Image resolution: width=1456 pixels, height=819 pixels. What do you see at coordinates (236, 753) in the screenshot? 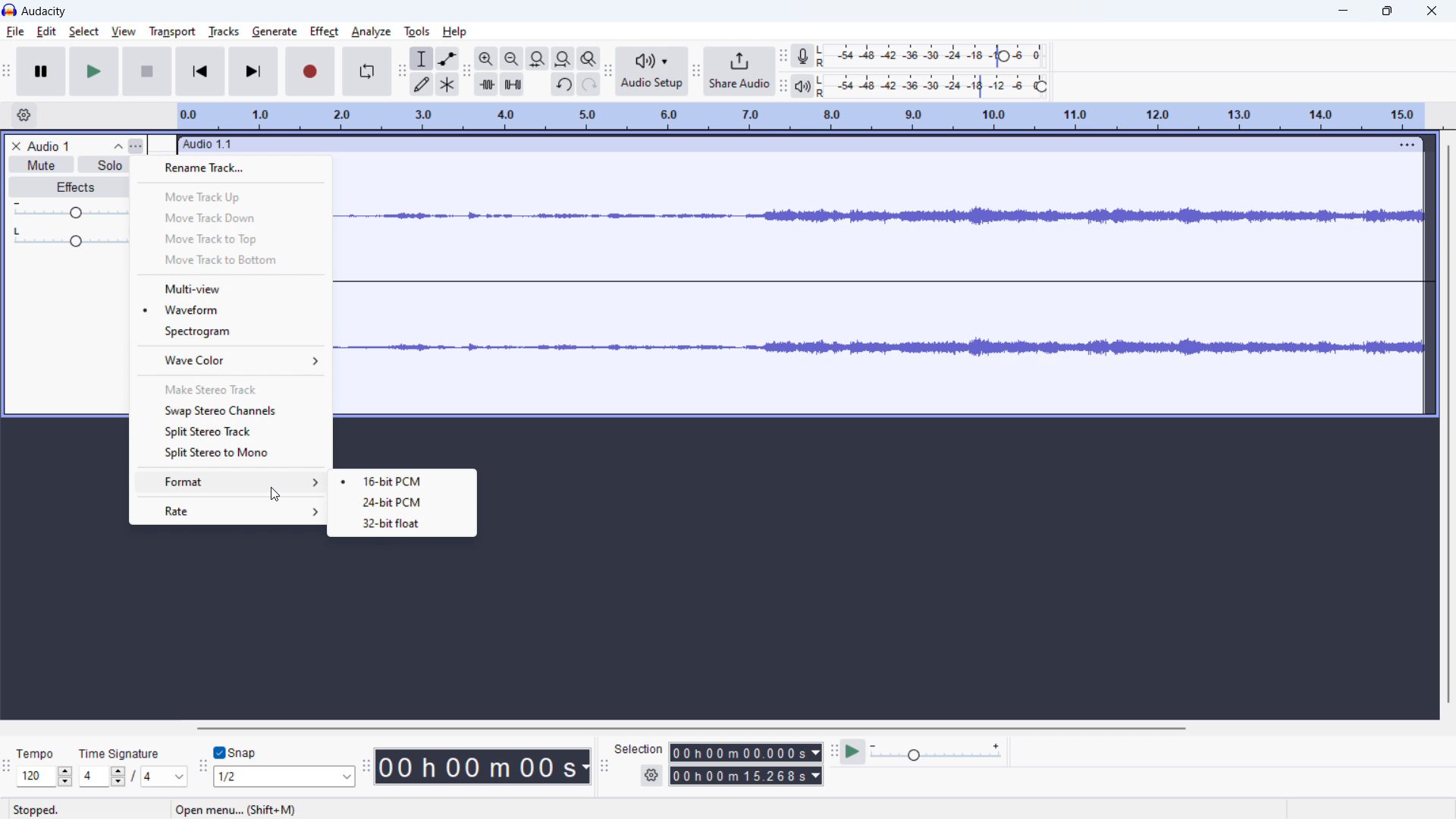
I see `toggle snap` at bounding box center [236, 753].